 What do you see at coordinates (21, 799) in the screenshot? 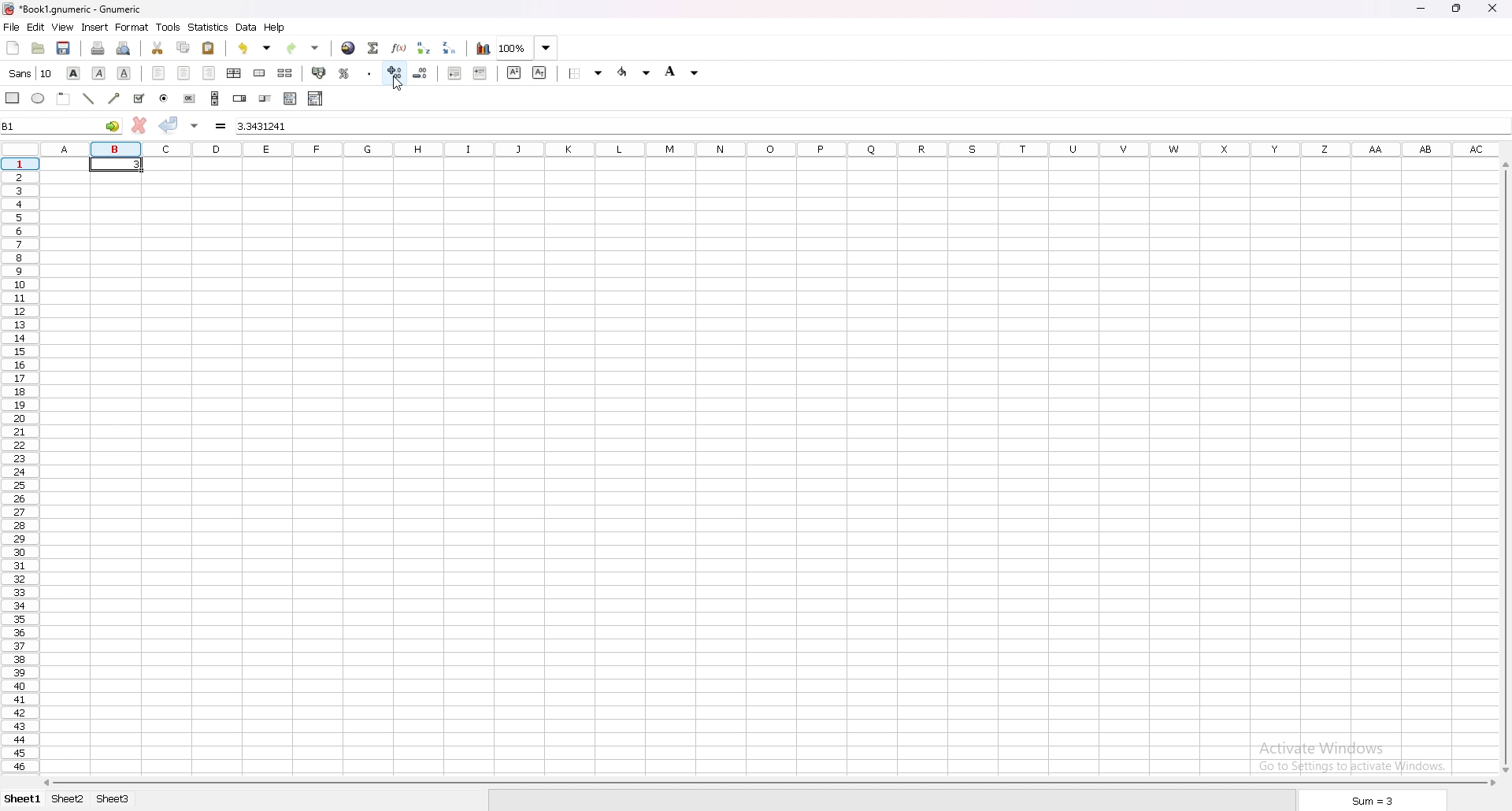
I see `sheet1` at bounding box center [21, 799].